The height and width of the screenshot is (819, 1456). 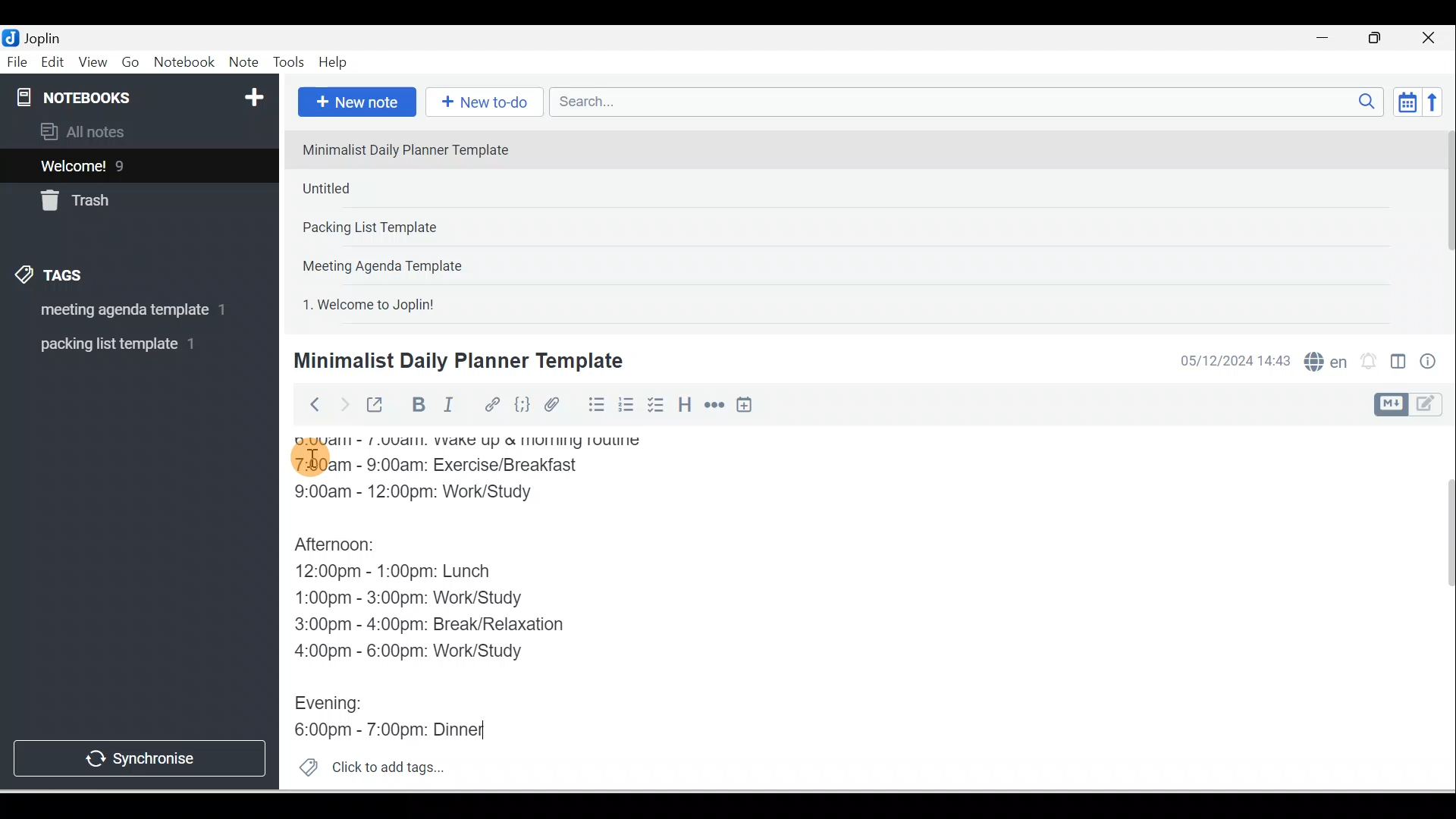 What do you see at coordinates (128, 162) in the screenshot?
I see `Notes` at bounding box center [128, 162].